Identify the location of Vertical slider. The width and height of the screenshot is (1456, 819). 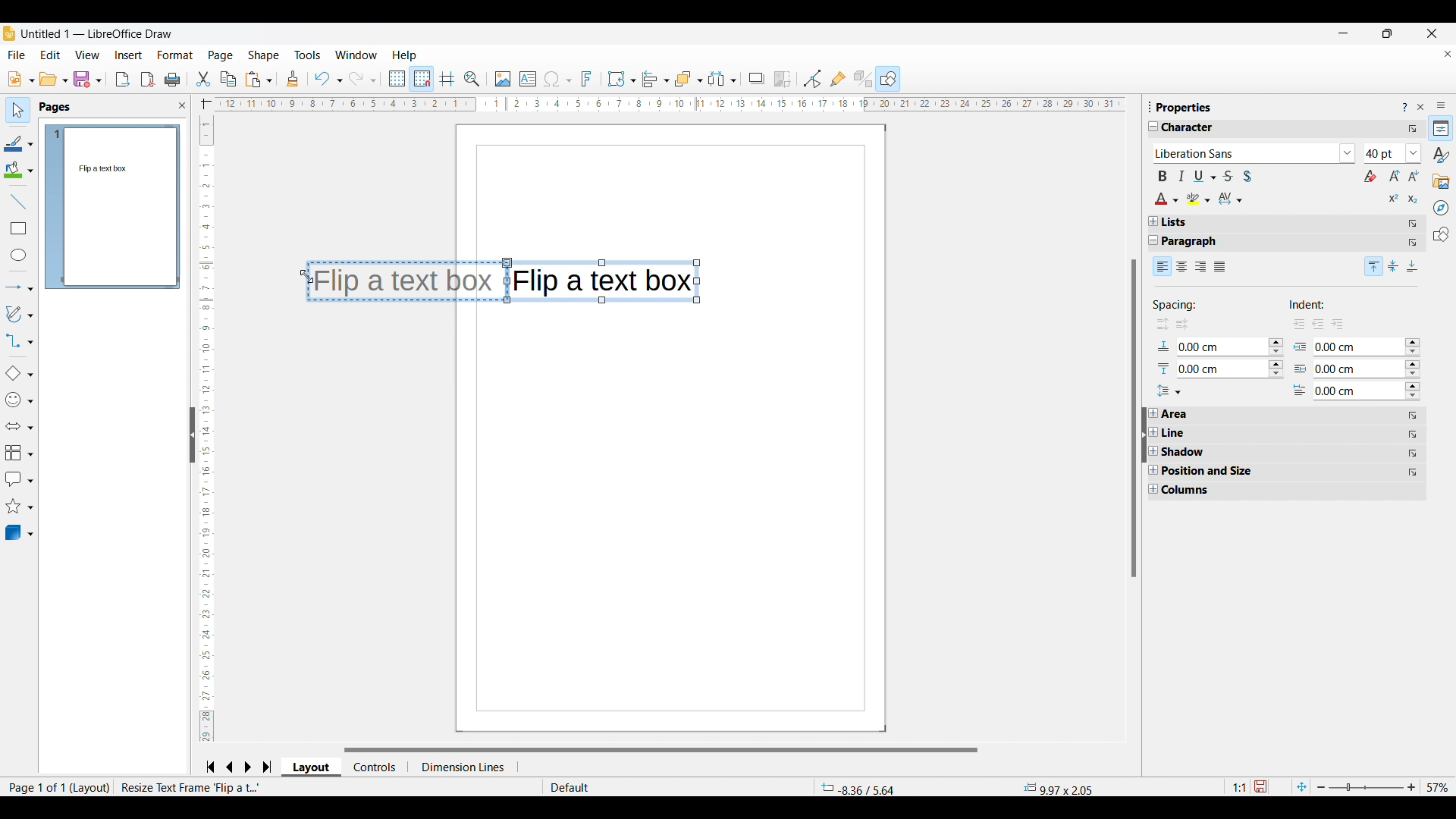
(1134, 418).